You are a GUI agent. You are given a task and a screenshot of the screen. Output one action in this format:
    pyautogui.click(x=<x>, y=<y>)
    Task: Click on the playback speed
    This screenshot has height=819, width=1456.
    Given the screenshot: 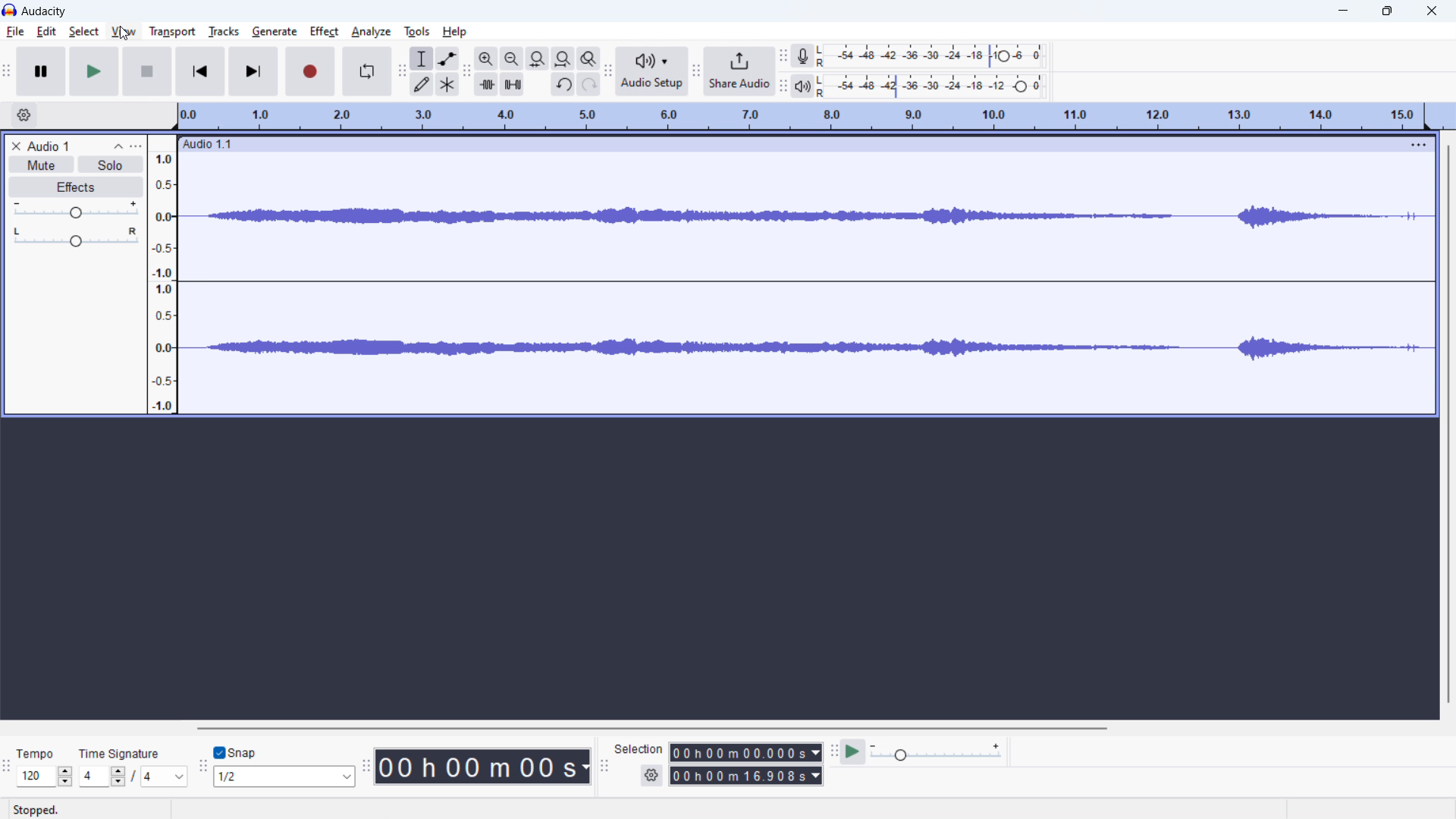 What is the action you would take?
    pyautogui.click(x=937, y=752)
    